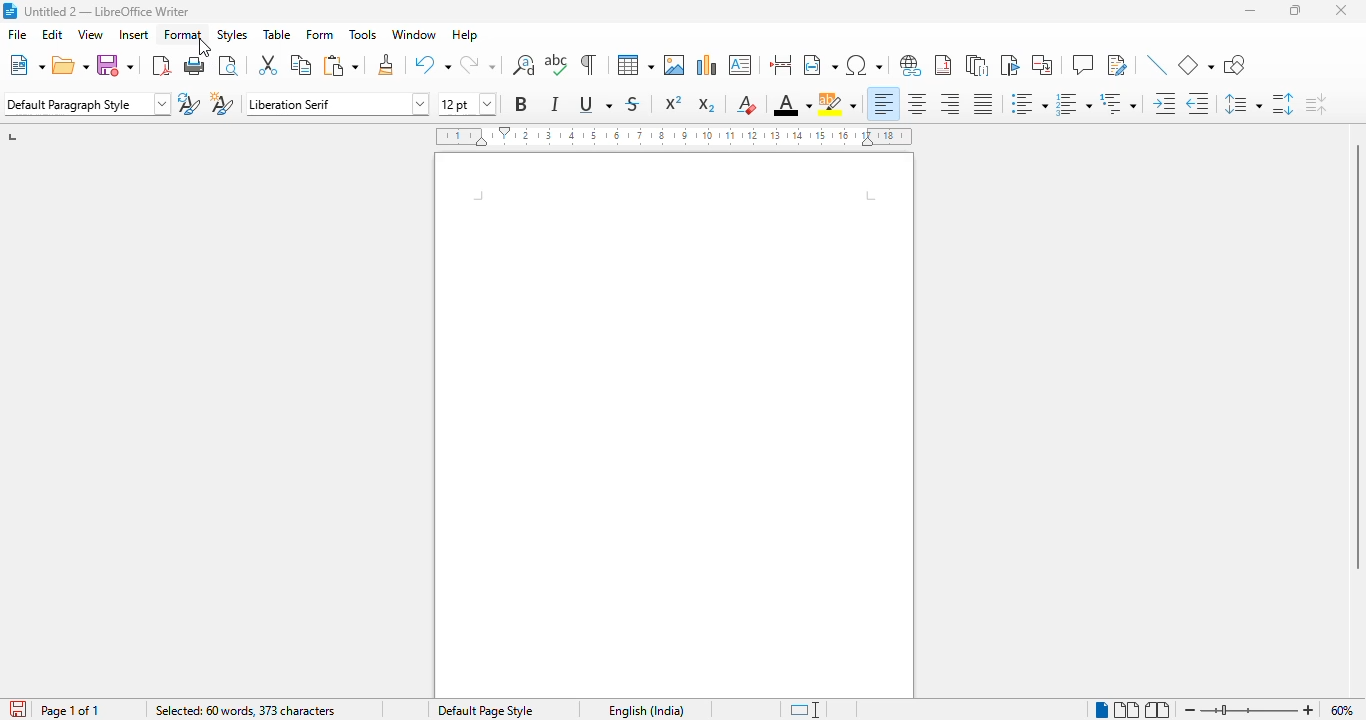 This screenshot has height=720, width=1366. Describe the element at coordinates (277, 34) in the screenshot. I see `table` at that location.